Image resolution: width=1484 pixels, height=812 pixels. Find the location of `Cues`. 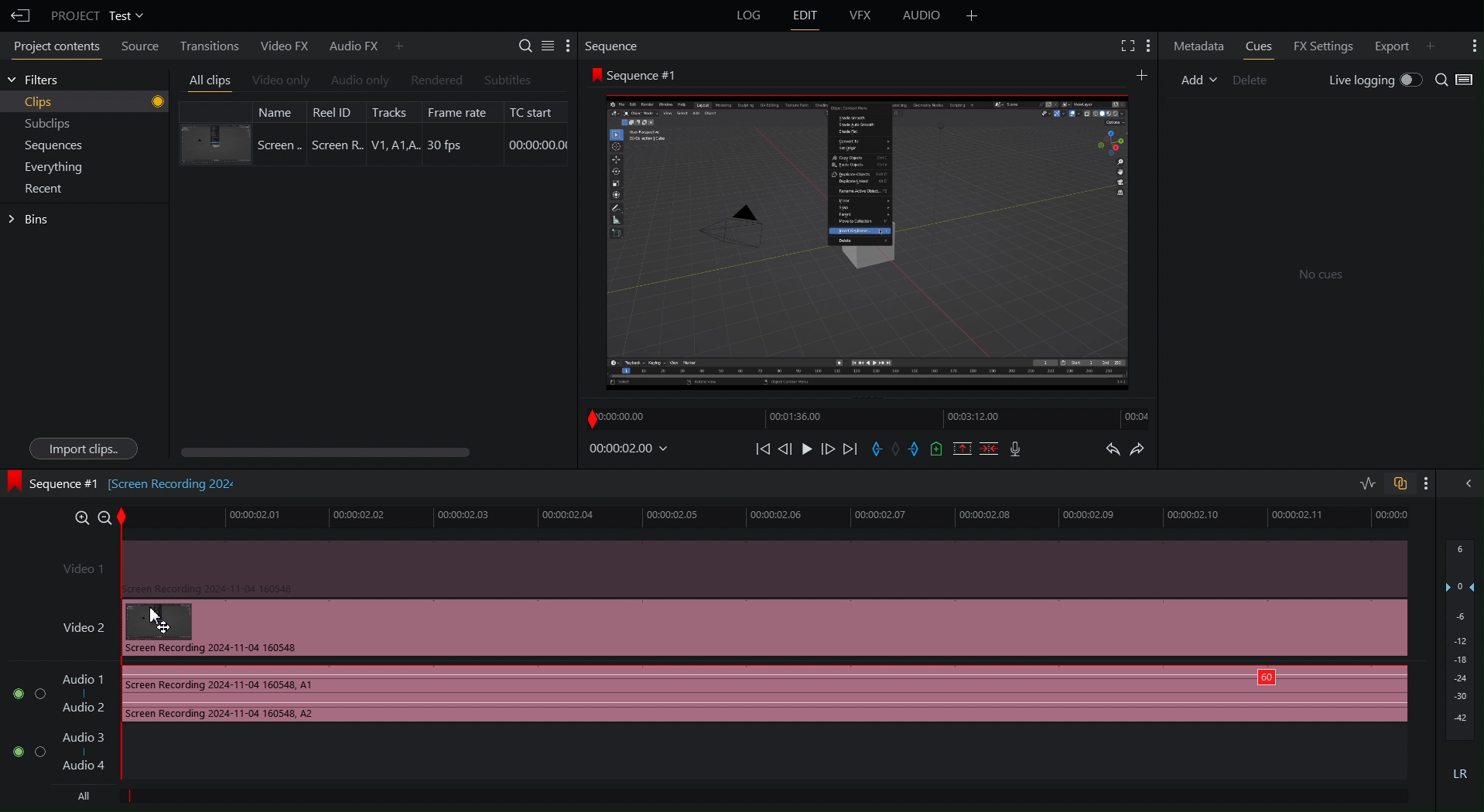

Cues is located at coordinates (1258, 47).